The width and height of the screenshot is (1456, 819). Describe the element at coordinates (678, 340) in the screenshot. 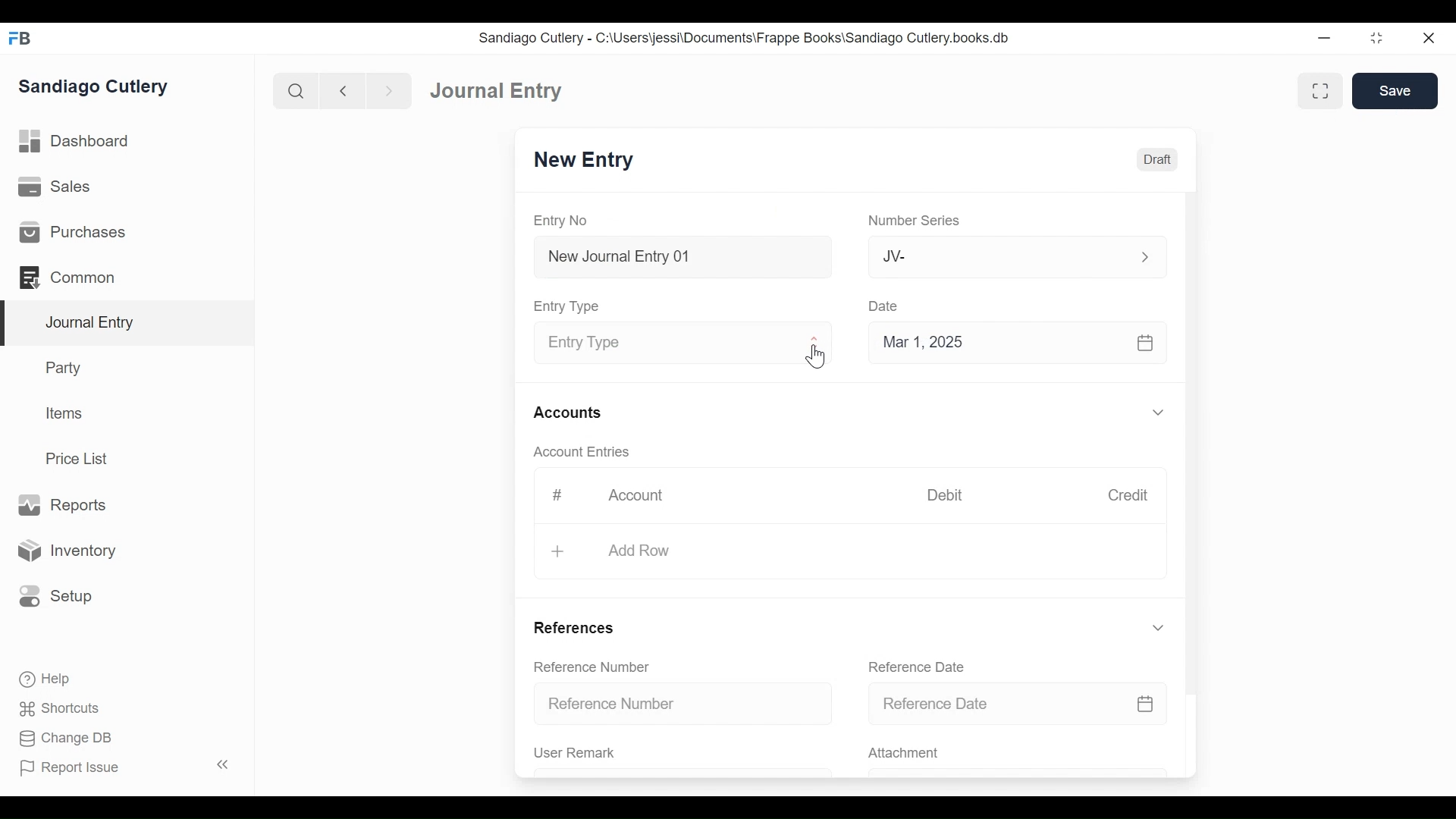

I see `Entry Type` at that location.